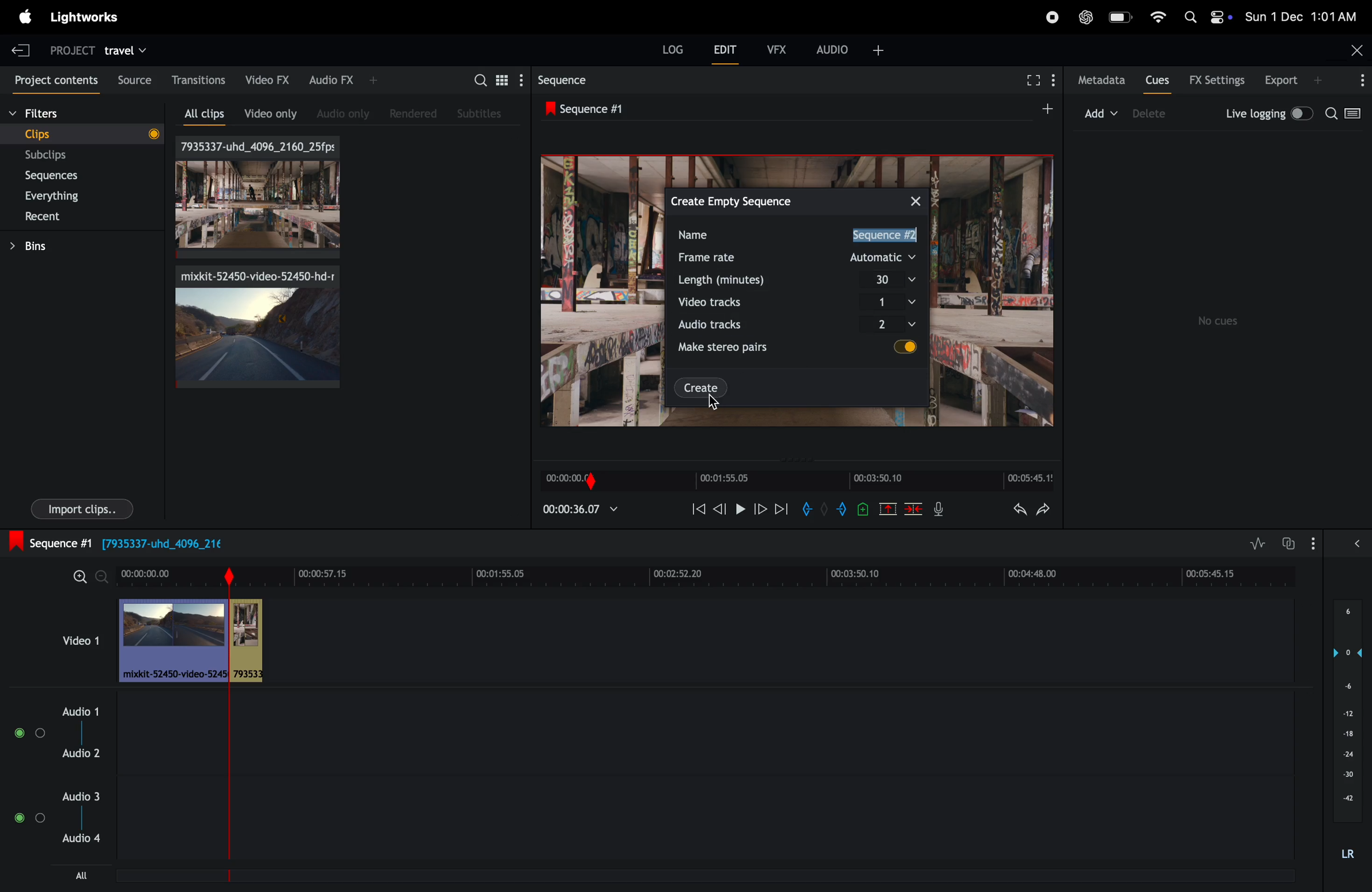  What do you see at coordinates (1044, 510) in the screenshot?
I see `redo` at bounding box center [1044, 510].